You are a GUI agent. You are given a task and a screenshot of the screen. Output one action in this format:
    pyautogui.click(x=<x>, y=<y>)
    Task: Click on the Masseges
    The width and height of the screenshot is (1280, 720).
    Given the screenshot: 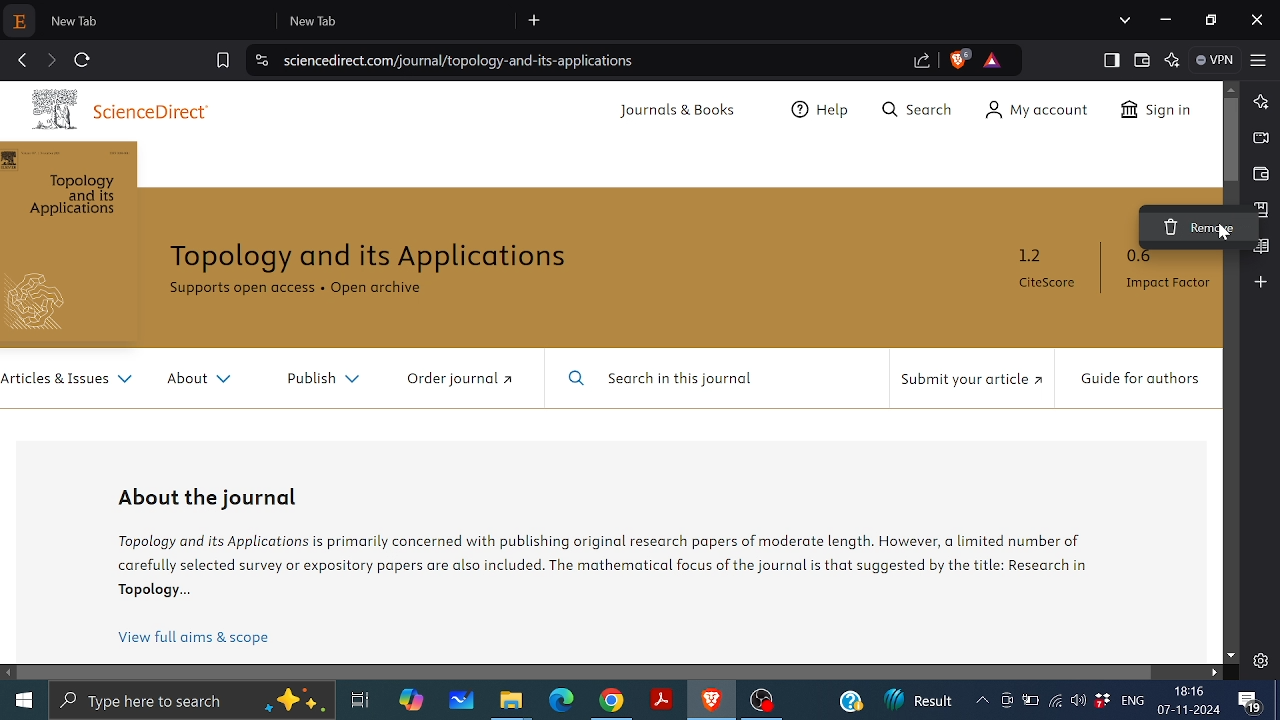 What is the action you would take?
    pyautogui.click(x=1250, y=701)
    